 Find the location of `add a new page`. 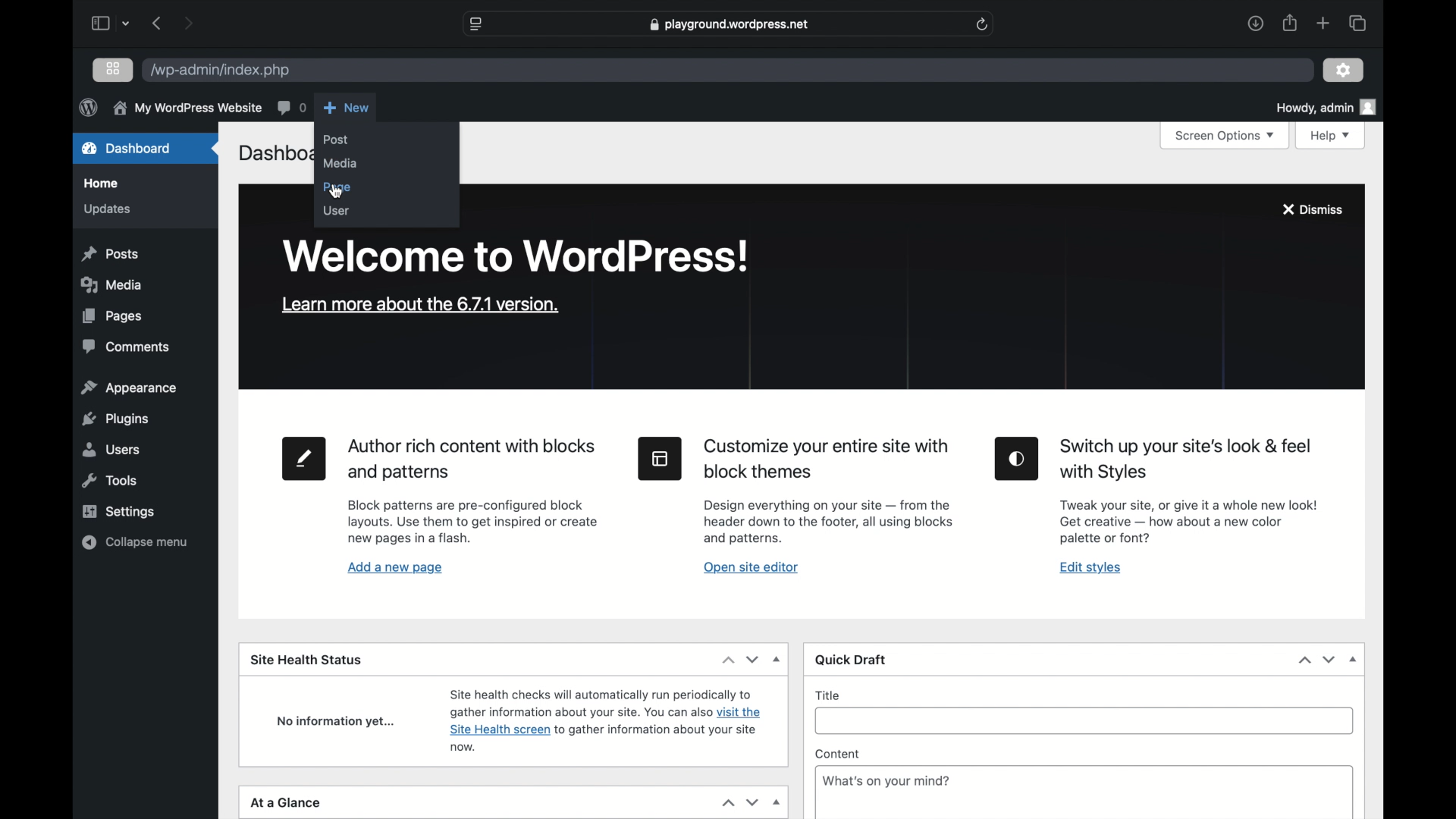

add a new page is located at coordinates (395, 569).